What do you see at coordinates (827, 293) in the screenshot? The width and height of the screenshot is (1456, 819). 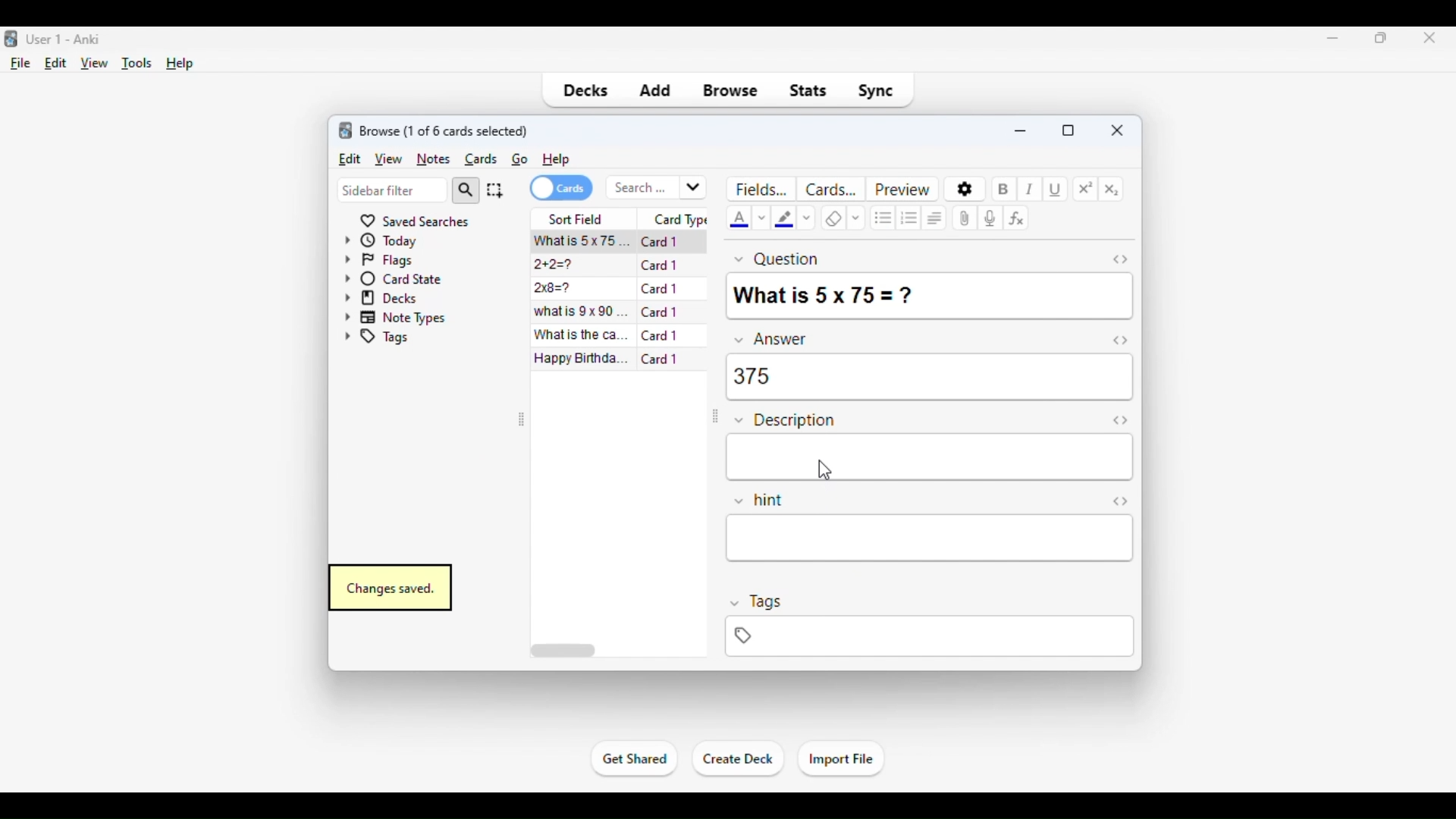 I see `what is 5x75=?` at bounding box center [827, 293].